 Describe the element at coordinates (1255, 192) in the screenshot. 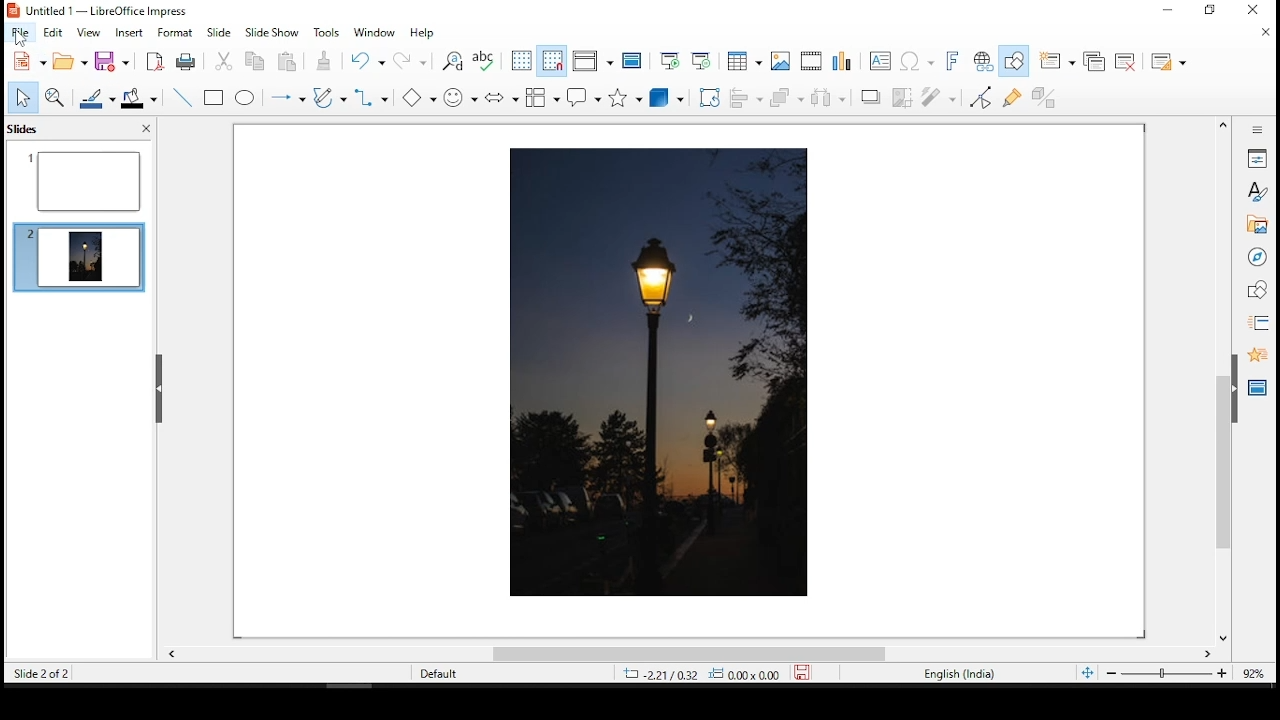

I see `styles` at that location.